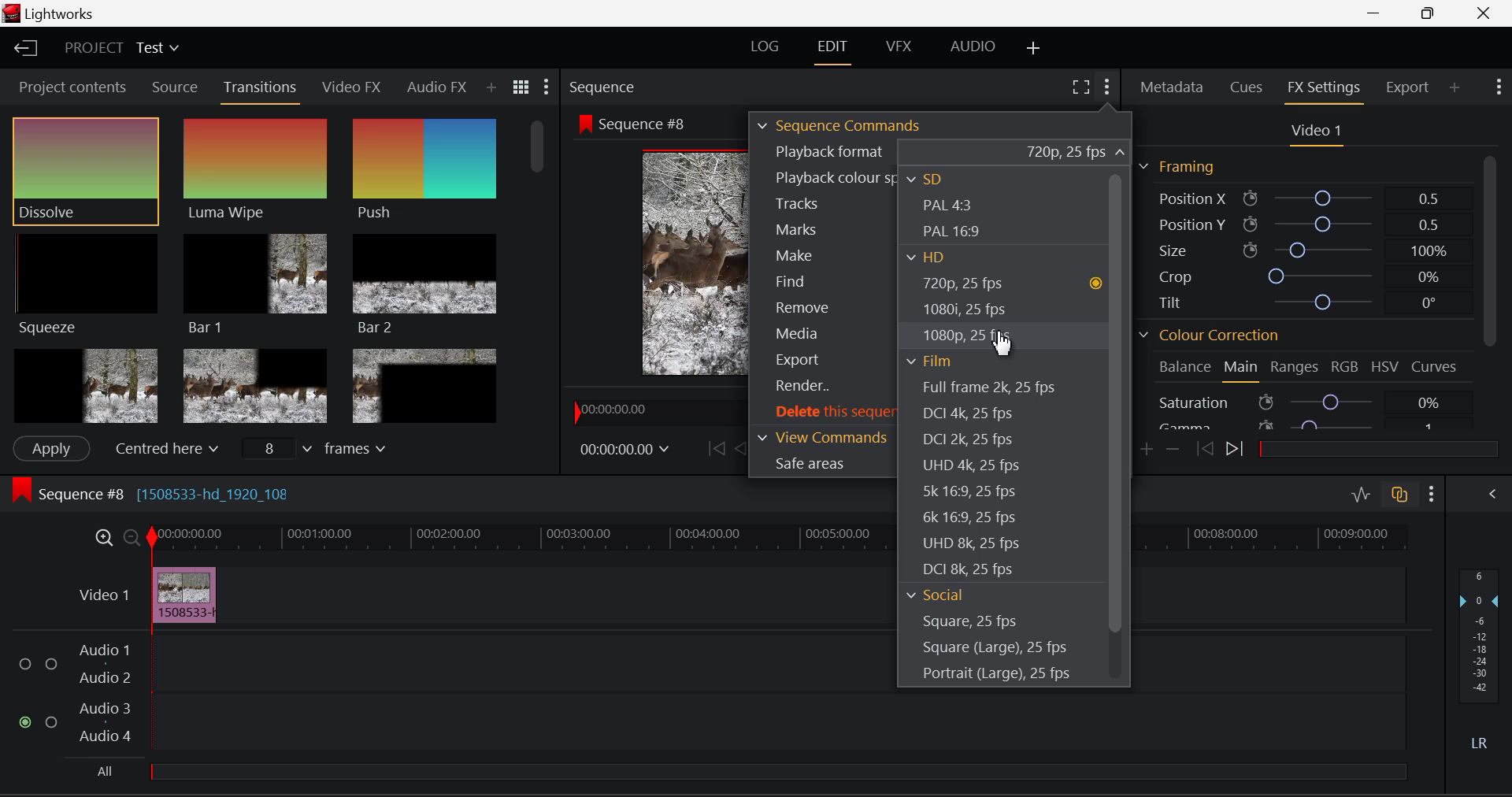 The width and height of the screenshot is (1512, 797). Describe the element at coordinates (969, 469) in the screenshot. I see `UHD 4k` at that location.